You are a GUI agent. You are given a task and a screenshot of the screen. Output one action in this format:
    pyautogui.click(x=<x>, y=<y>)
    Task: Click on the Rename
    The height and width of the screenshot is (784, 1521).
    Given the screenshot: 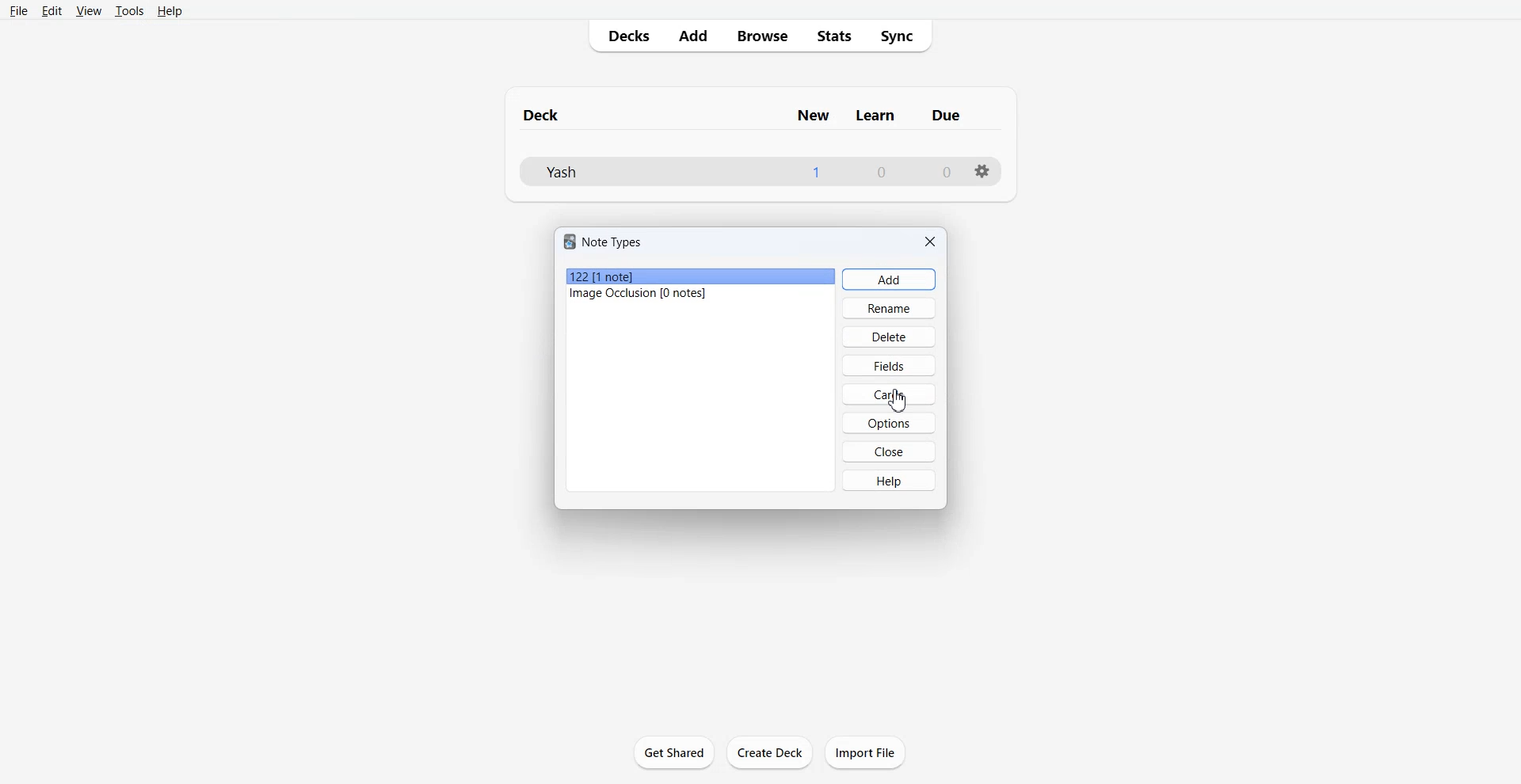 What is the action you would take?
    pyautogui.click(x=890, y=307)
    